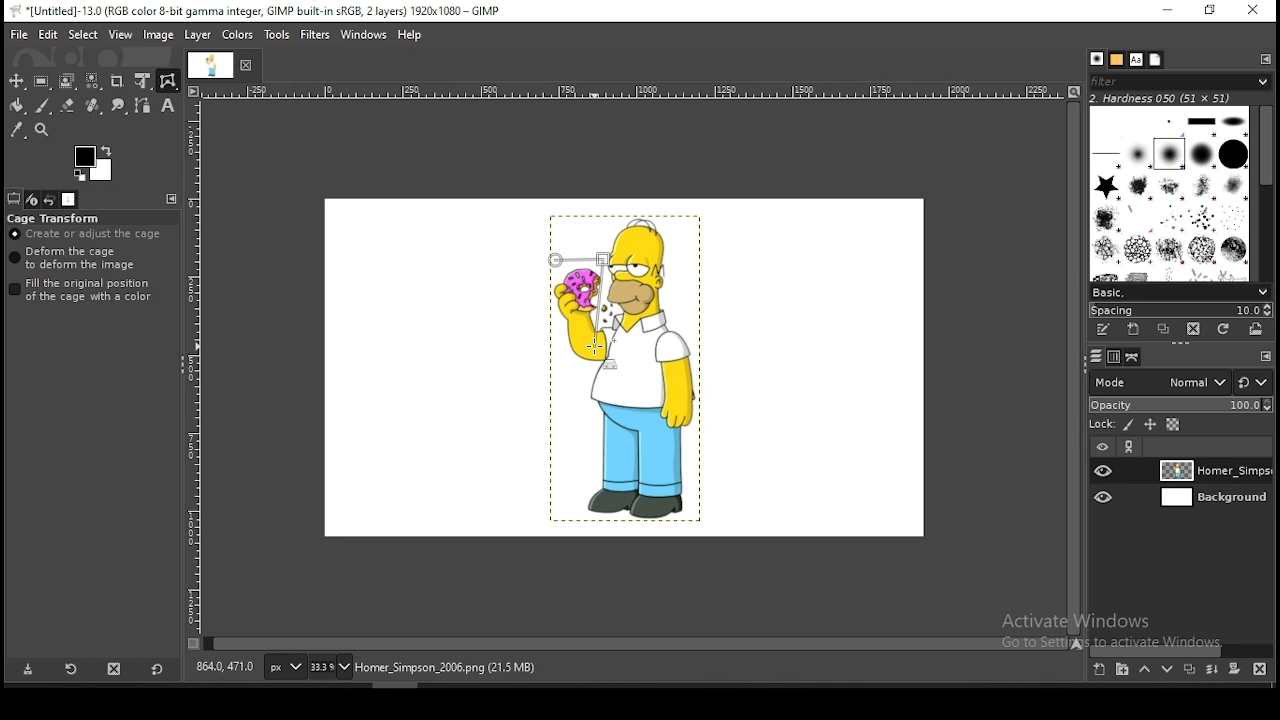  Describe the element at coordinates (1266, 355) in the screenshot. I see `` at that location.